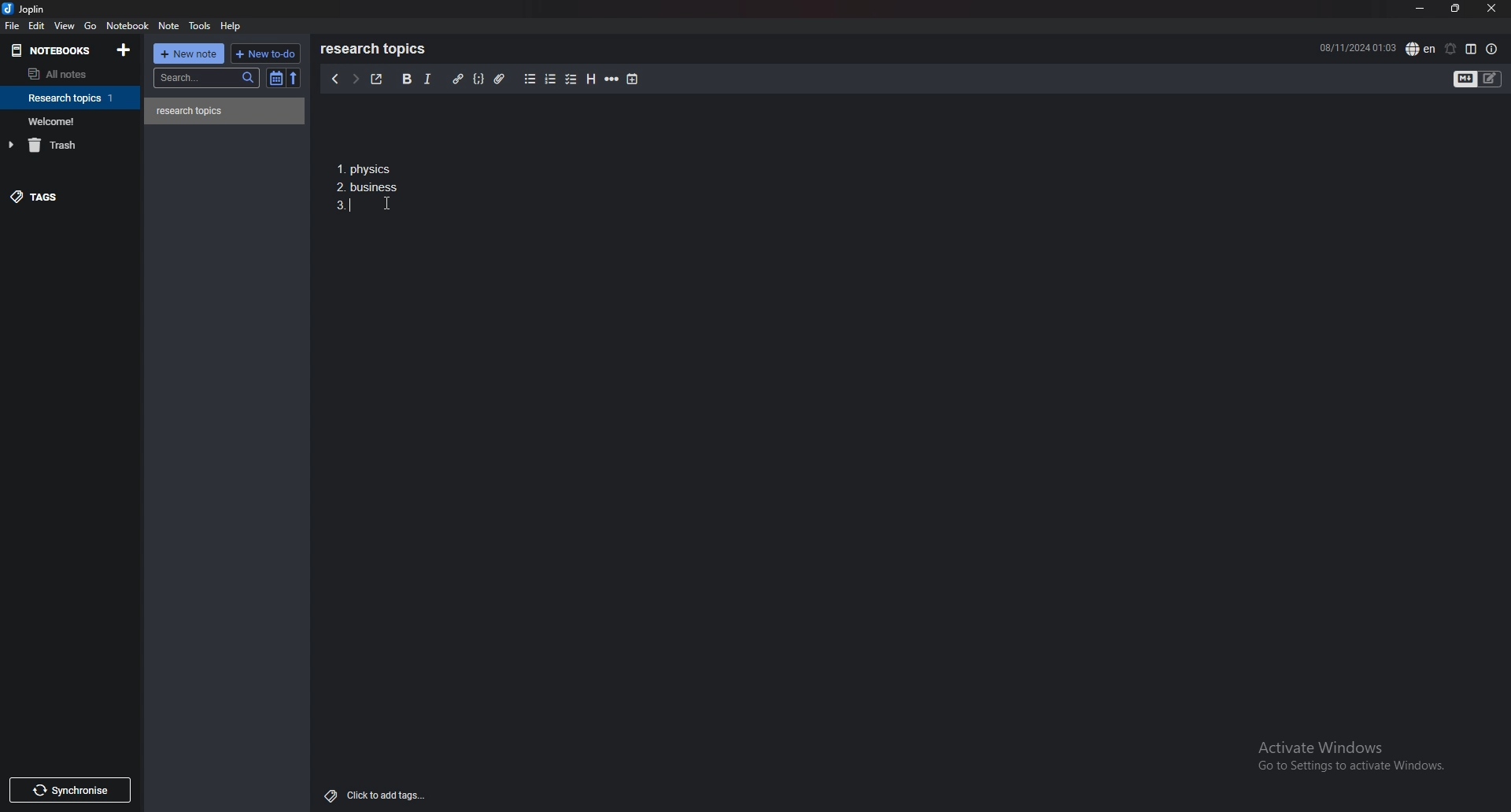 This screenshot has height=812, width=1511. Describe the element at coordinates (1492, 49) in the screenshot. I see `note properties` at that location.